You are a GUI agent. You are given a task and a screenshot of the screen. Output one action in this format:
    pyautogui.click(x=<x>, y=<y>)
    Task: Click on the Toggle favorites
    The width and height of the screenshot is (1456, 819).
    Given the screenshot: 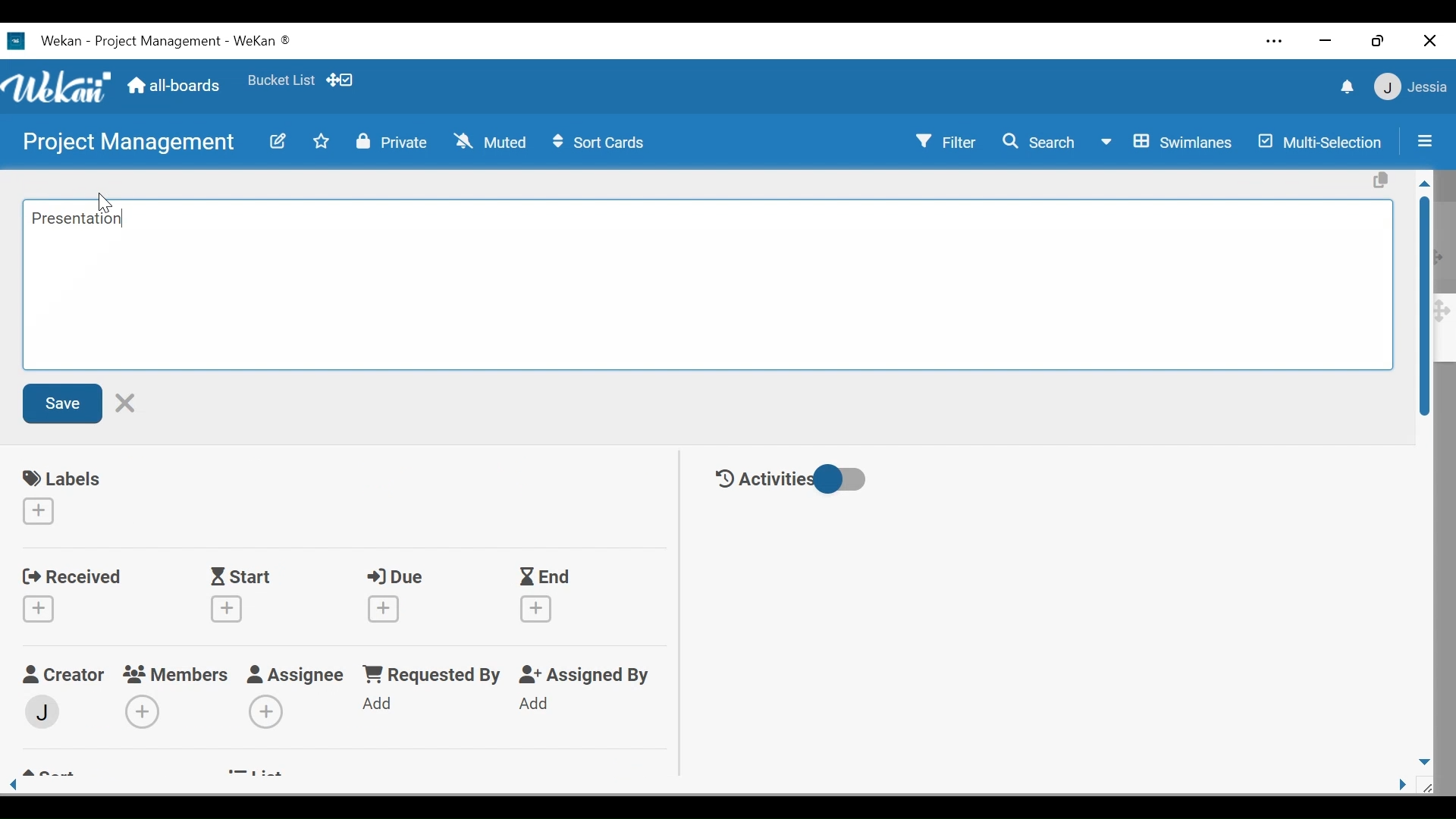 What is the action you would take?
    pyautogui.click(x=280, y=80)
    